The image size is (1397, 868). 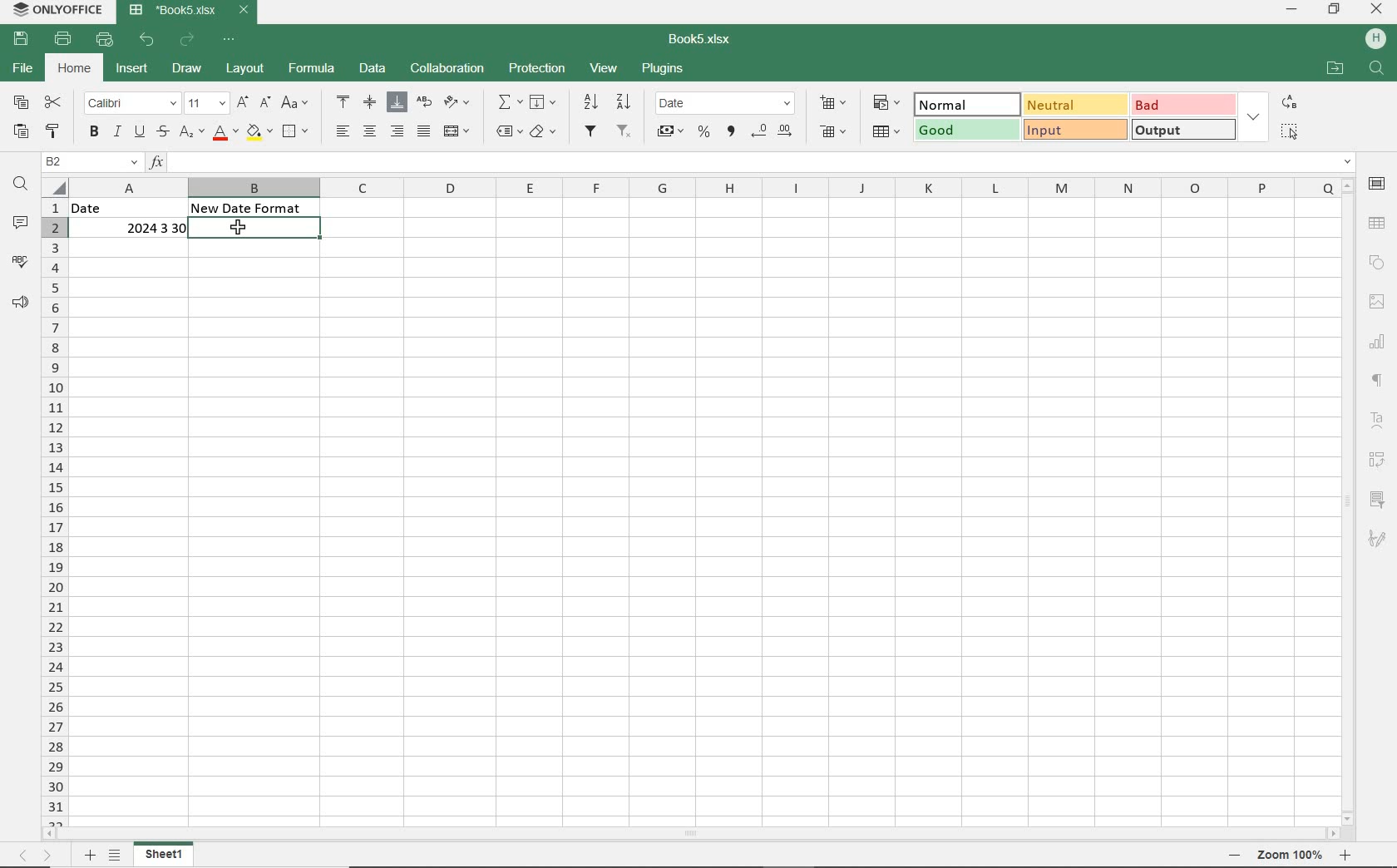 I want to click on MOVE SHEETS, so click(x=34, y=856).